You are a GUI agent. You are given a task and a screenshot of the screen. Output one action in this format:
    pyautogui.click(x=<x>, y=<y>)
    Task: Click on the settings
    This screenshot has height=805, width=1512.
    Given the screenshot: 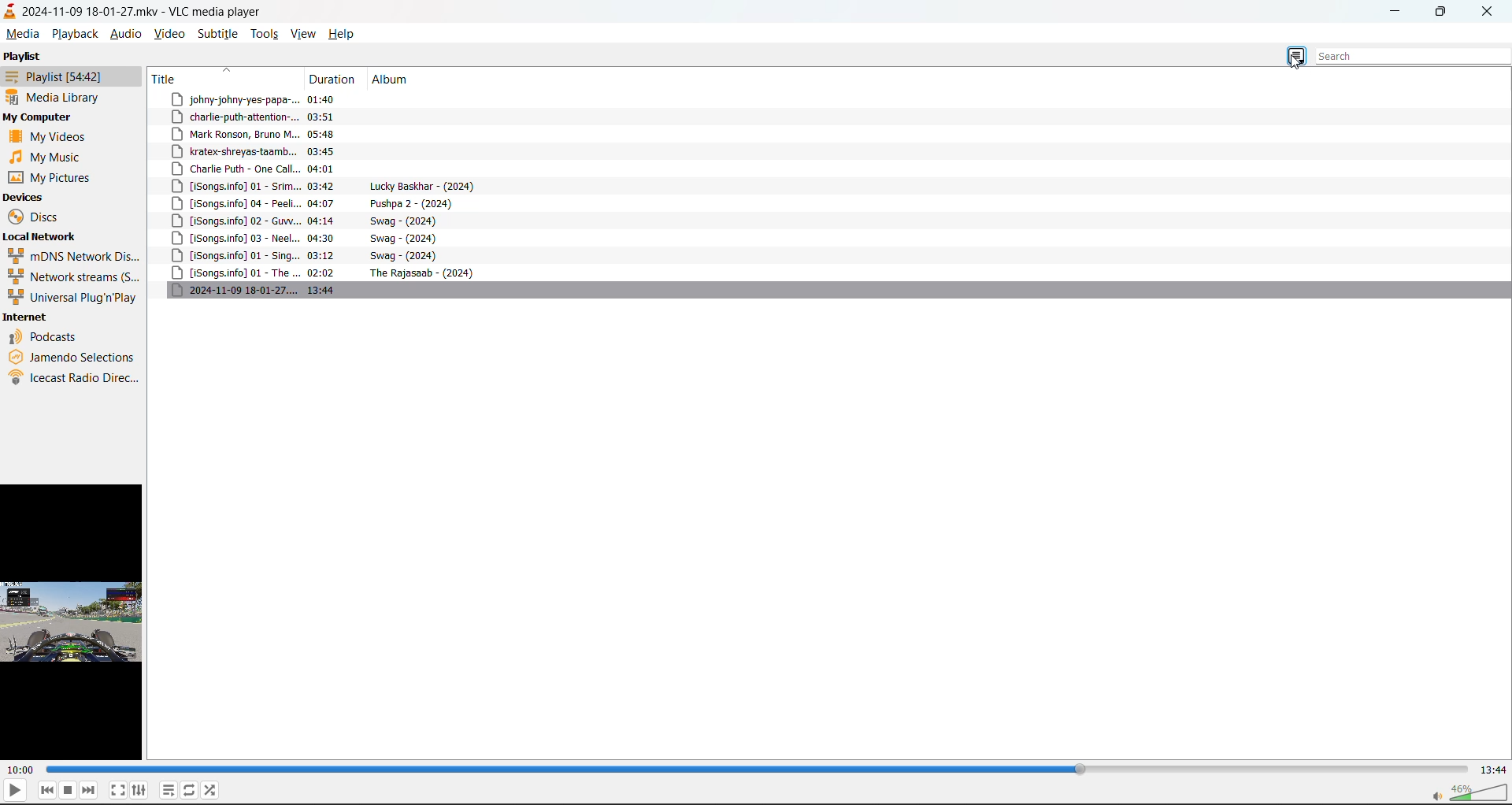 What is the action you would take?
    pyautogui.click(x=139, y=790)
    